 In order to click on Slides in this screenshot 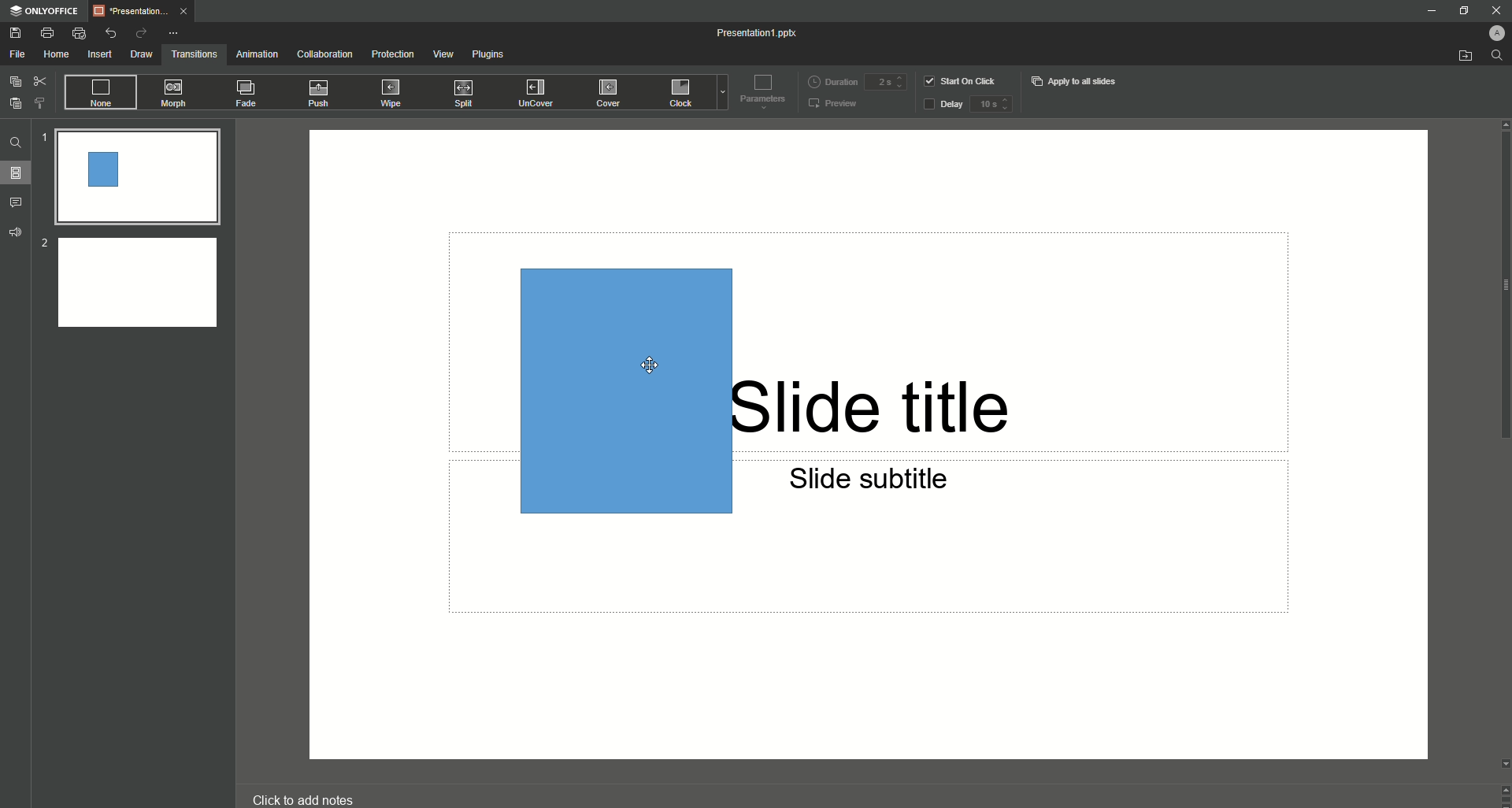, I will do `click(16, 172)`.